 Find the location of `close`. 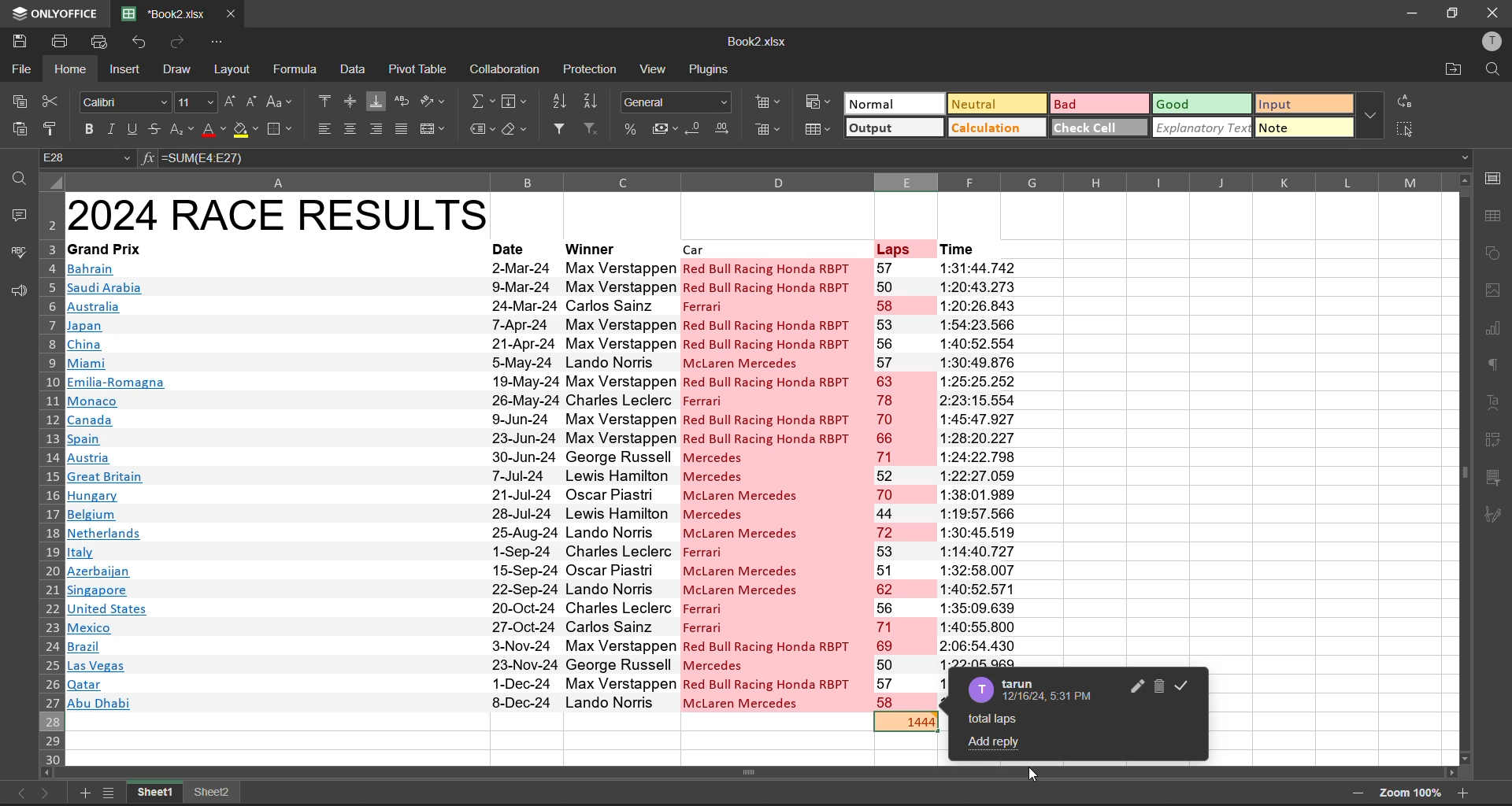

close is located at coordinates (1494, 12).